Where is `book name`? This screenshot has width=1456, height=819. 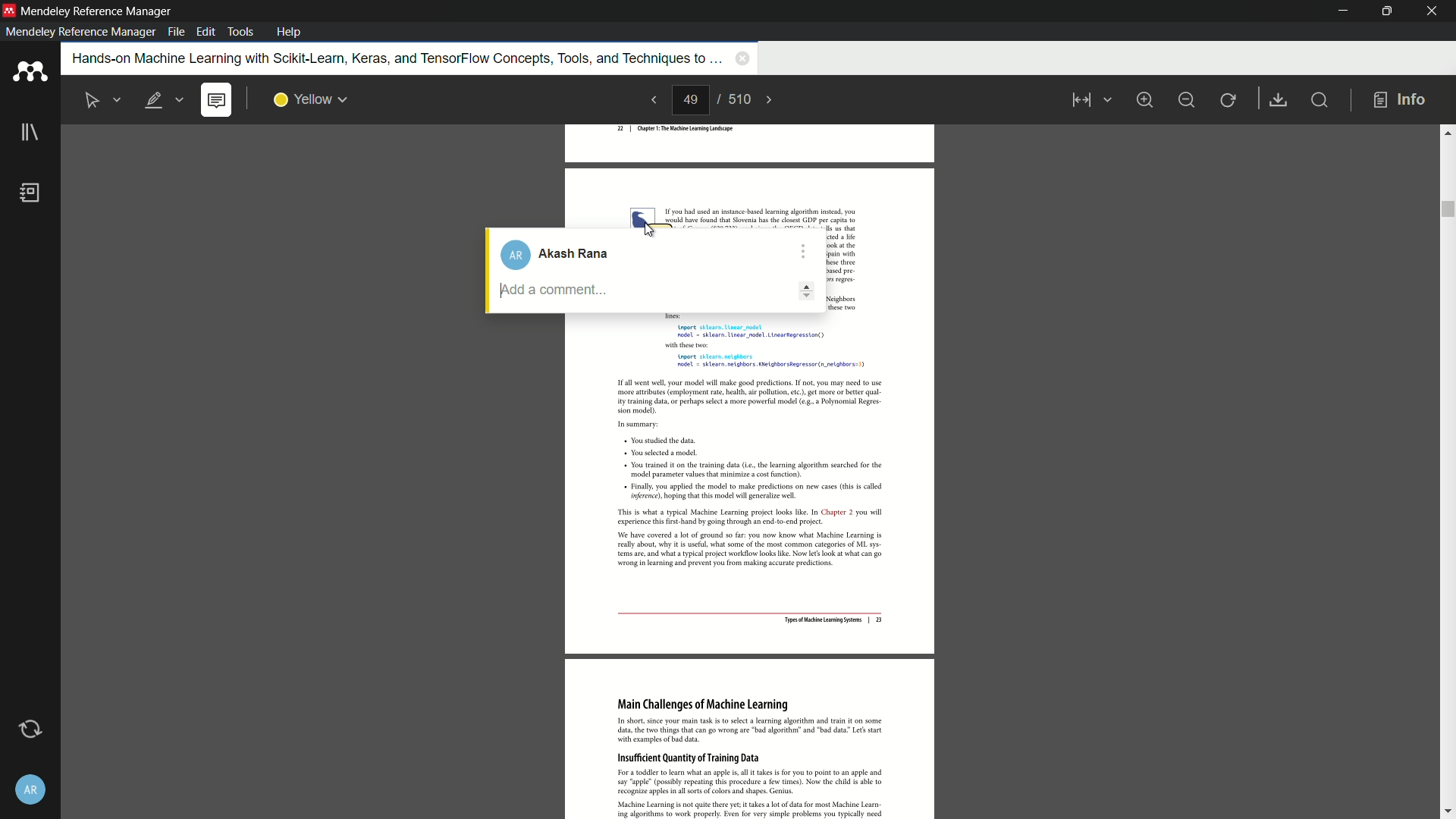 book name is located at coordinates (388, 58).